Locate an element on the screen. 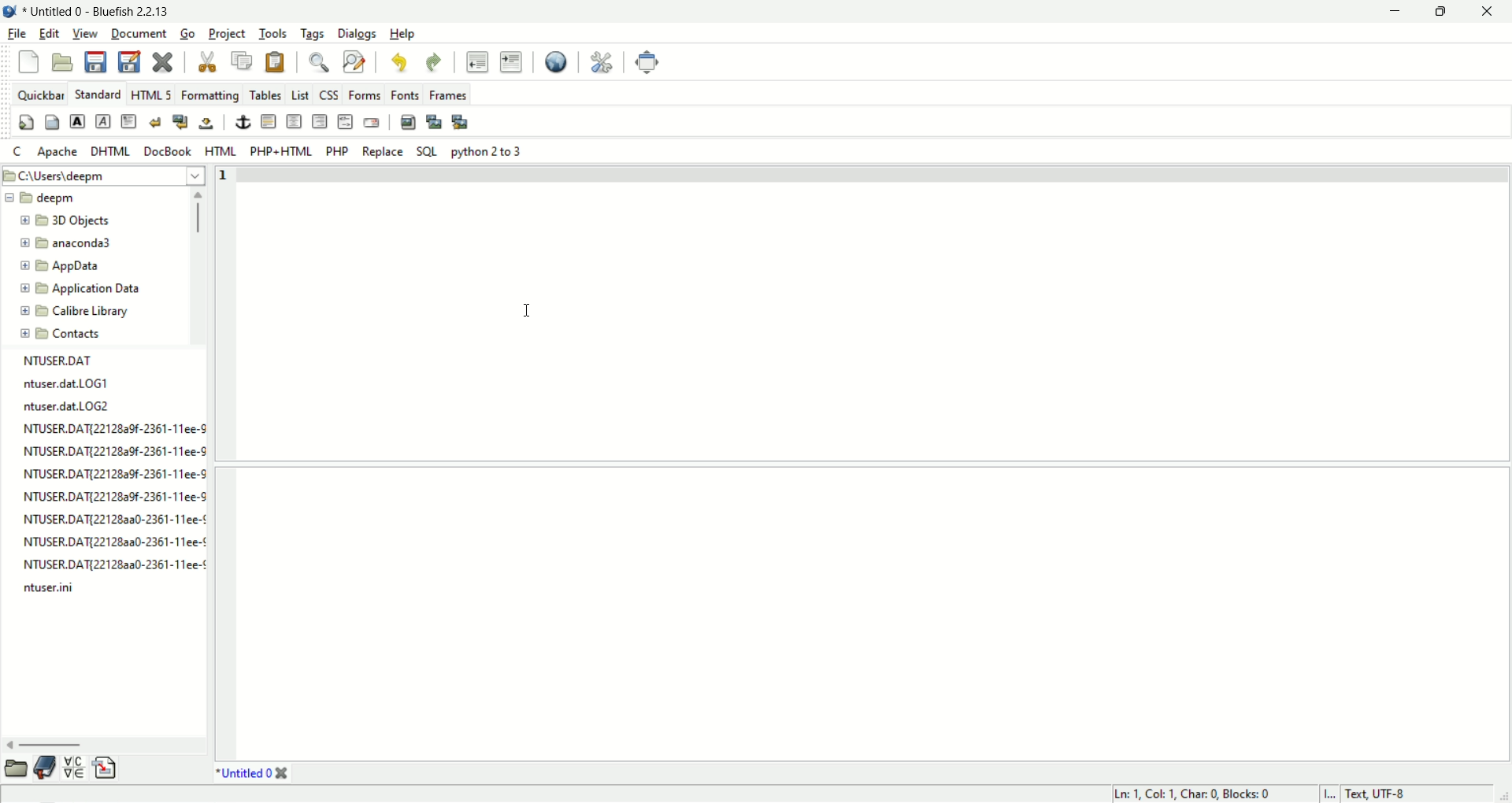 This screenshot has width=1512, height=803. go is located at coordinates (190, 34).